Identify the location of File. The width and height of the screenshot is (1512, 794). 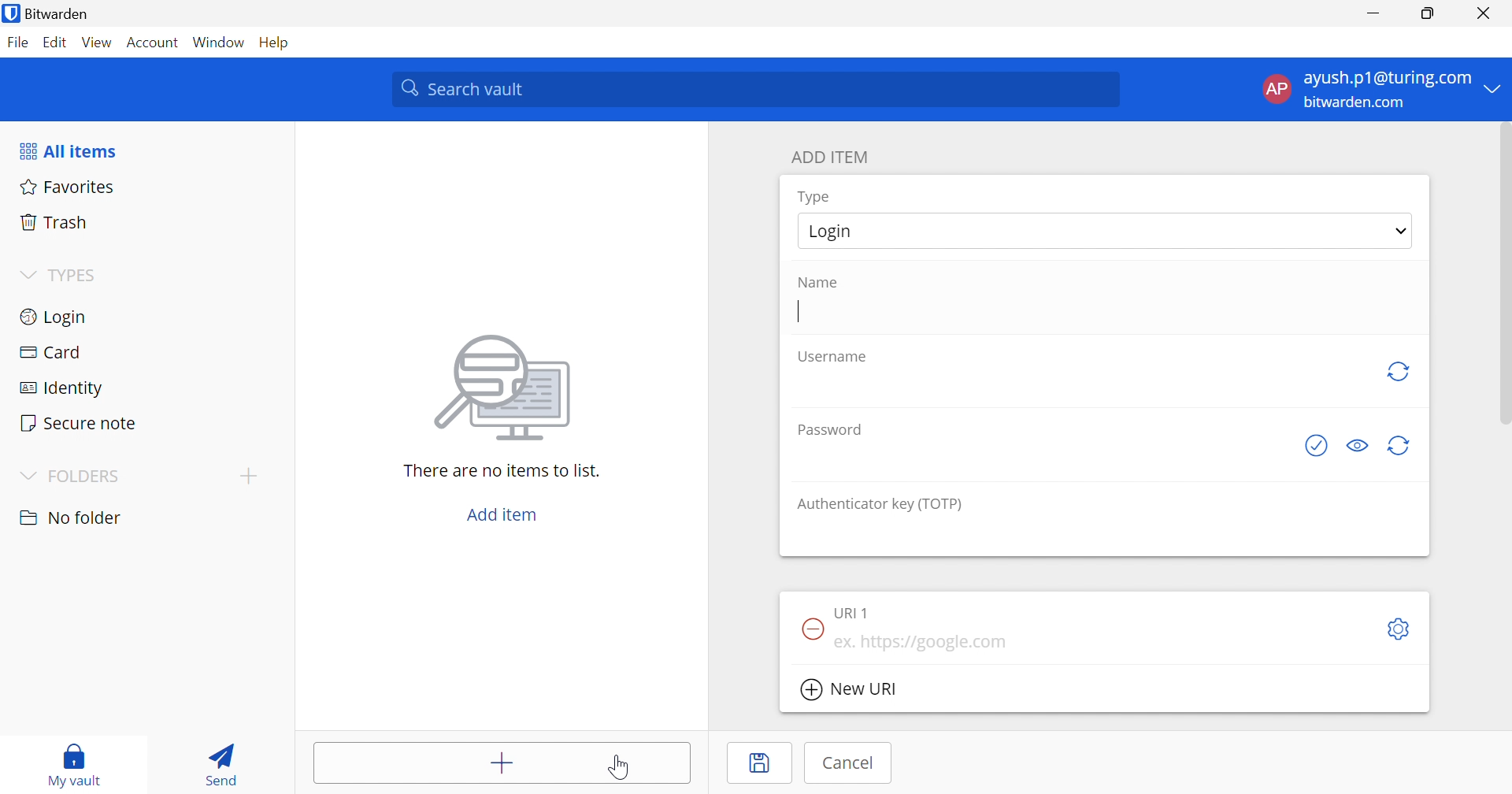
(17, 42).